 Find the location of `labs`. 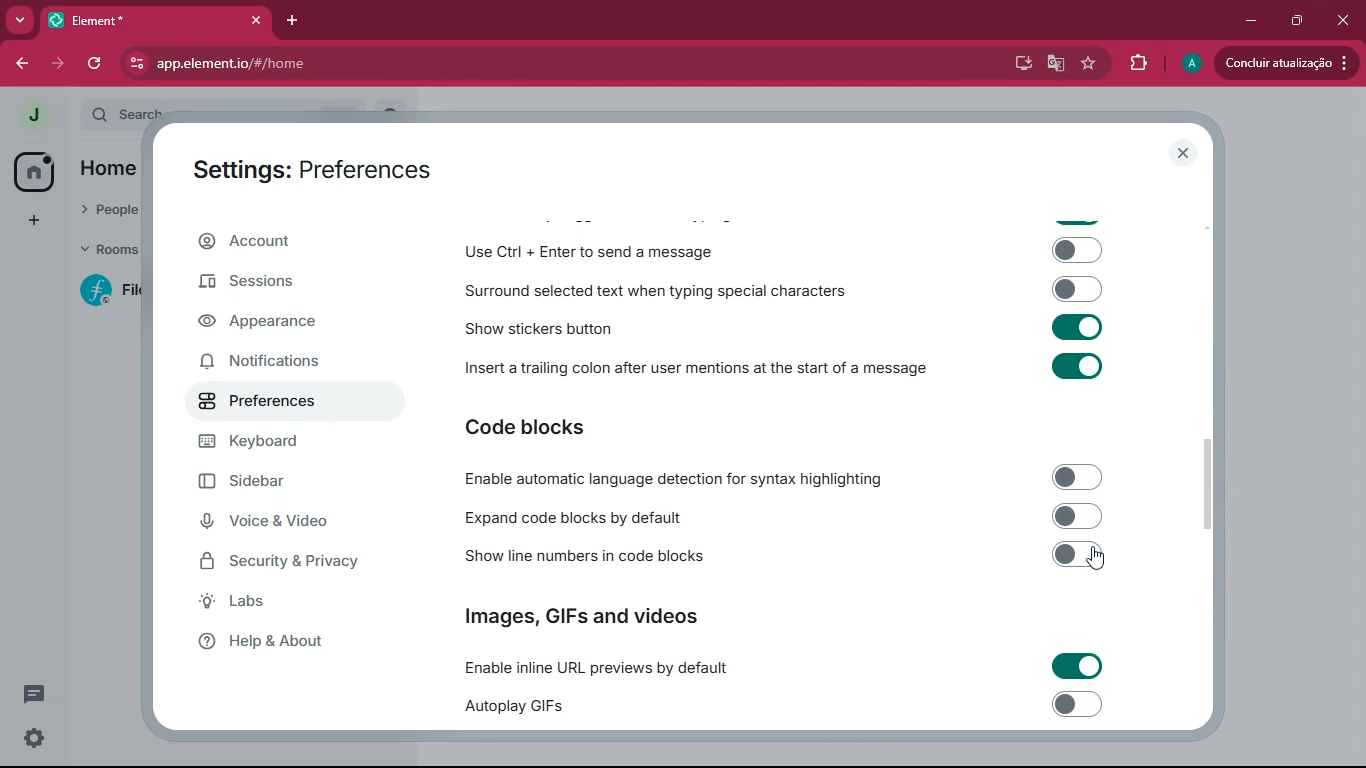

labs is located at coordinates (276, 602).